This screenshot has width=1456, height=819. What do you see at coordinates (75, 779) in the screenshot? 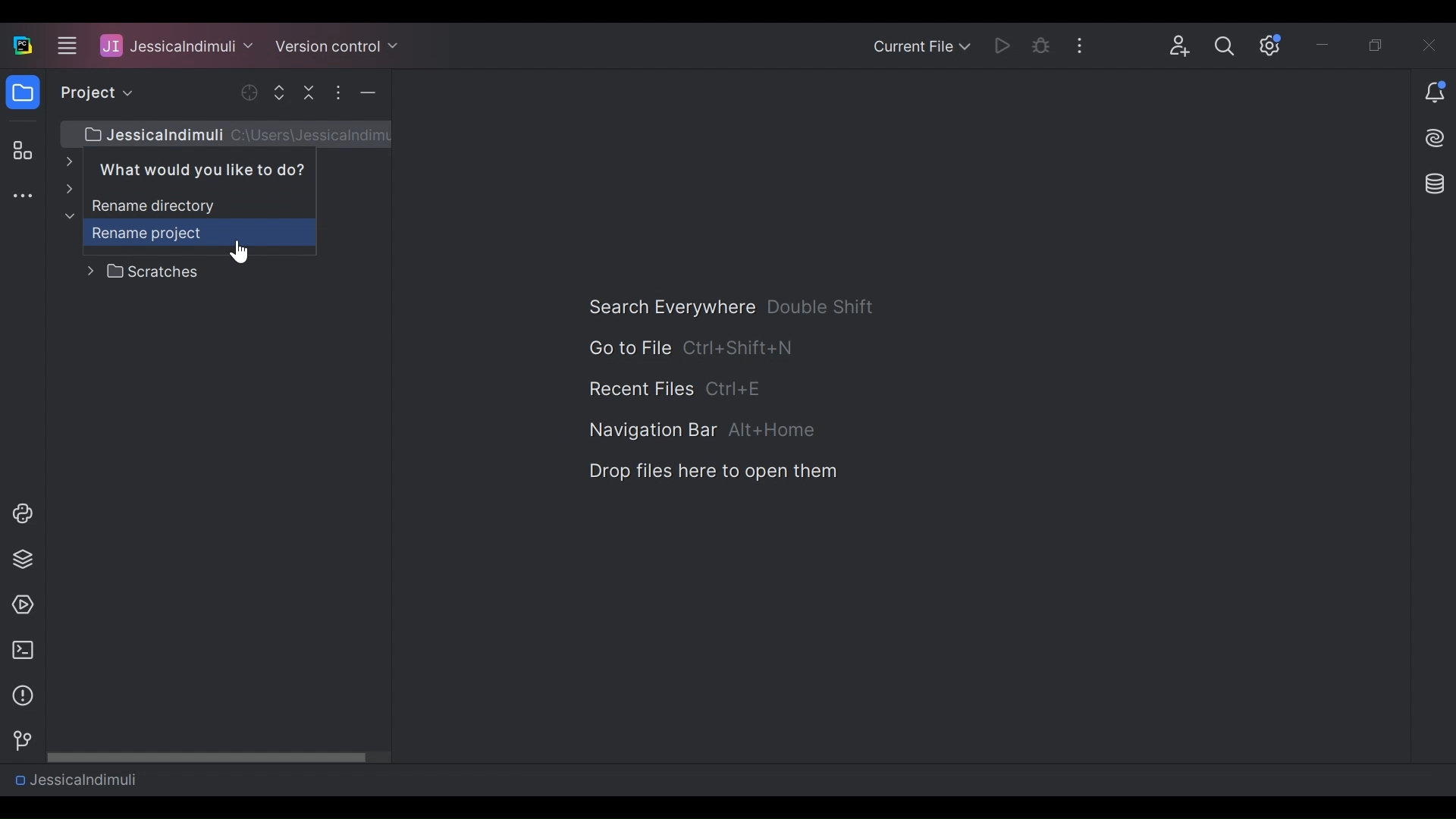
I see `Project Name` at bounding box center [75, 779].